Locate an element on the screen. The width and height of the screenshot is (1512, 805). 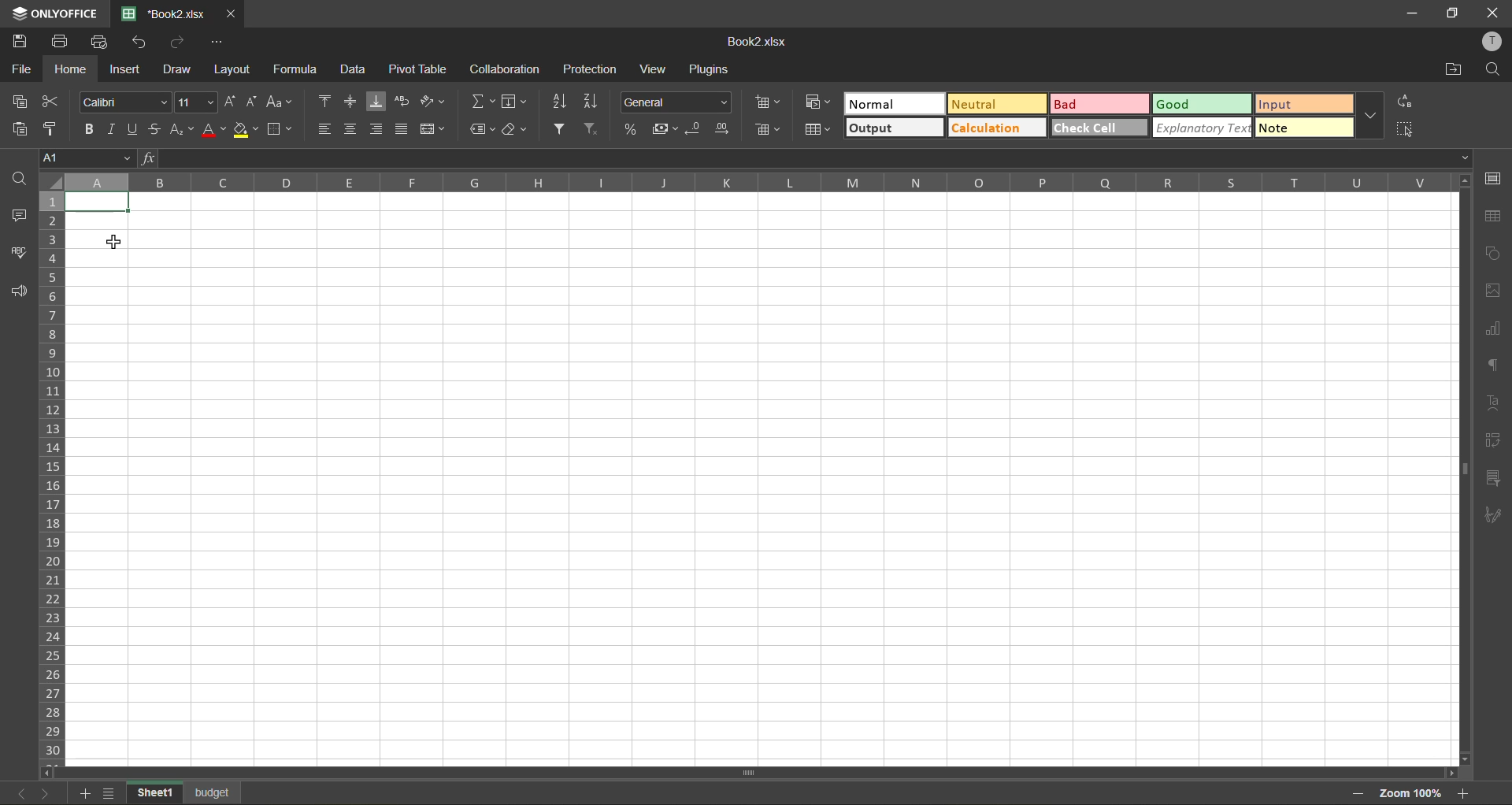
open location is located at coordinates (1454, 69).